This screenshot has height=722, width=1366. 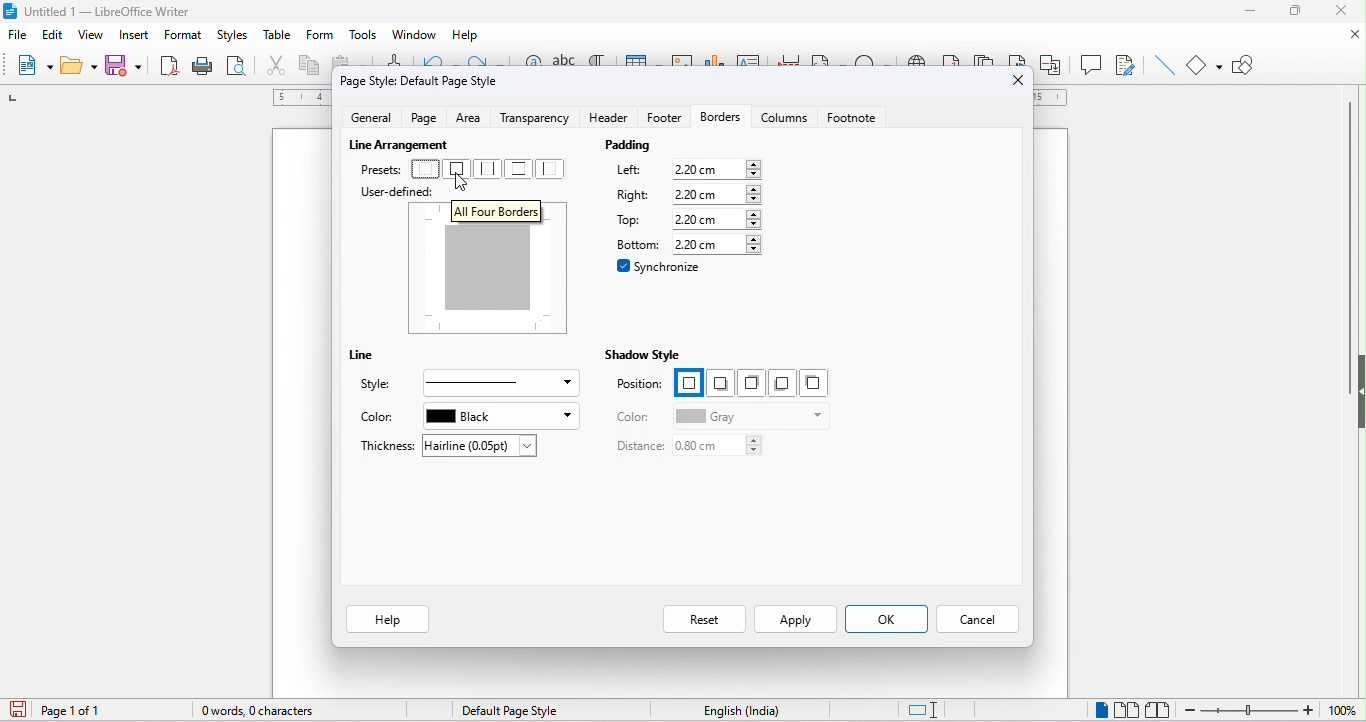 What do you see at coordinates (1357, 385) in the screenshot?
I see `height` at bounding box center [1357, 385].